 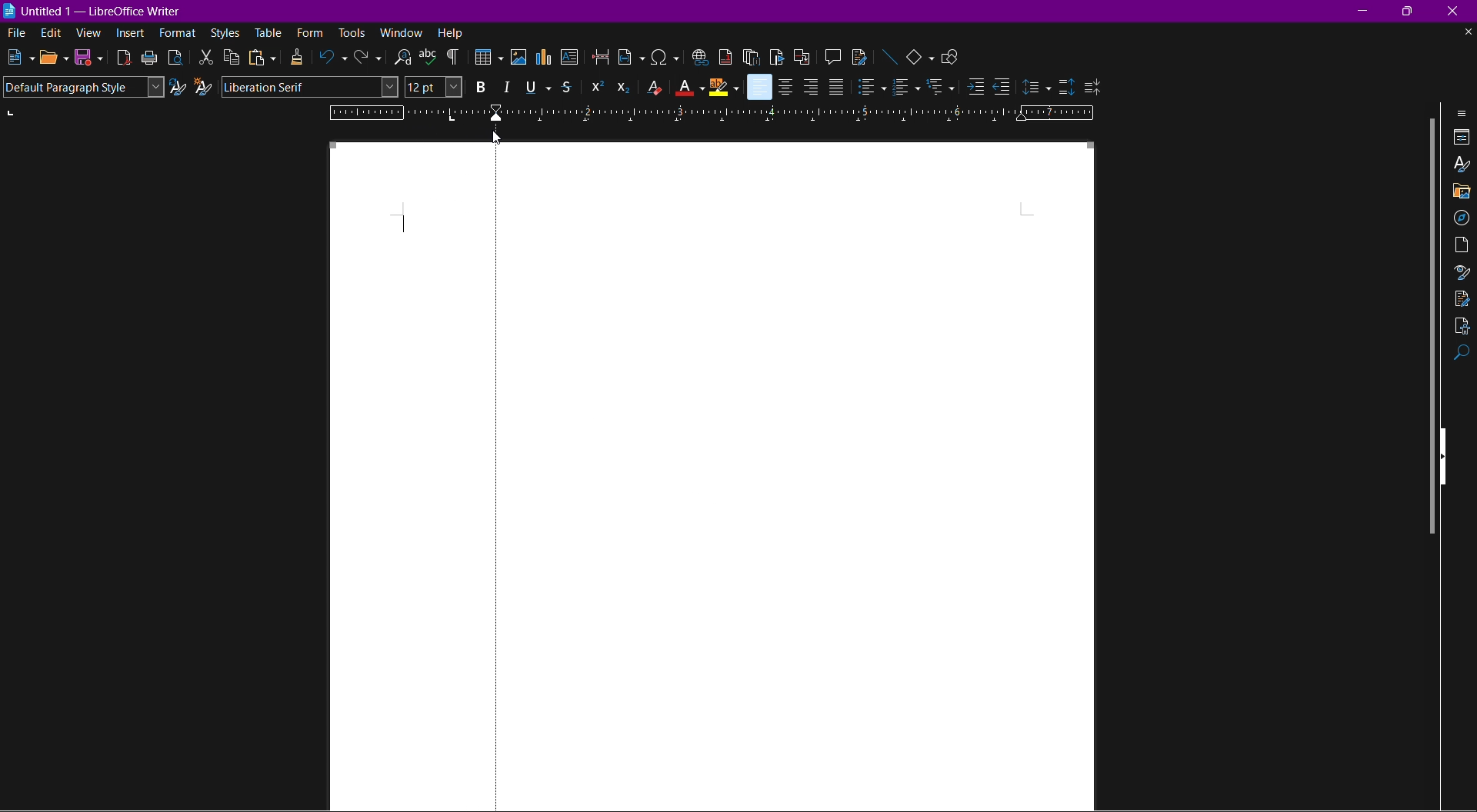 What do you see at coordinates (150, 58) in the screenshot?
I see `Print` at bounding box center [150, 58].